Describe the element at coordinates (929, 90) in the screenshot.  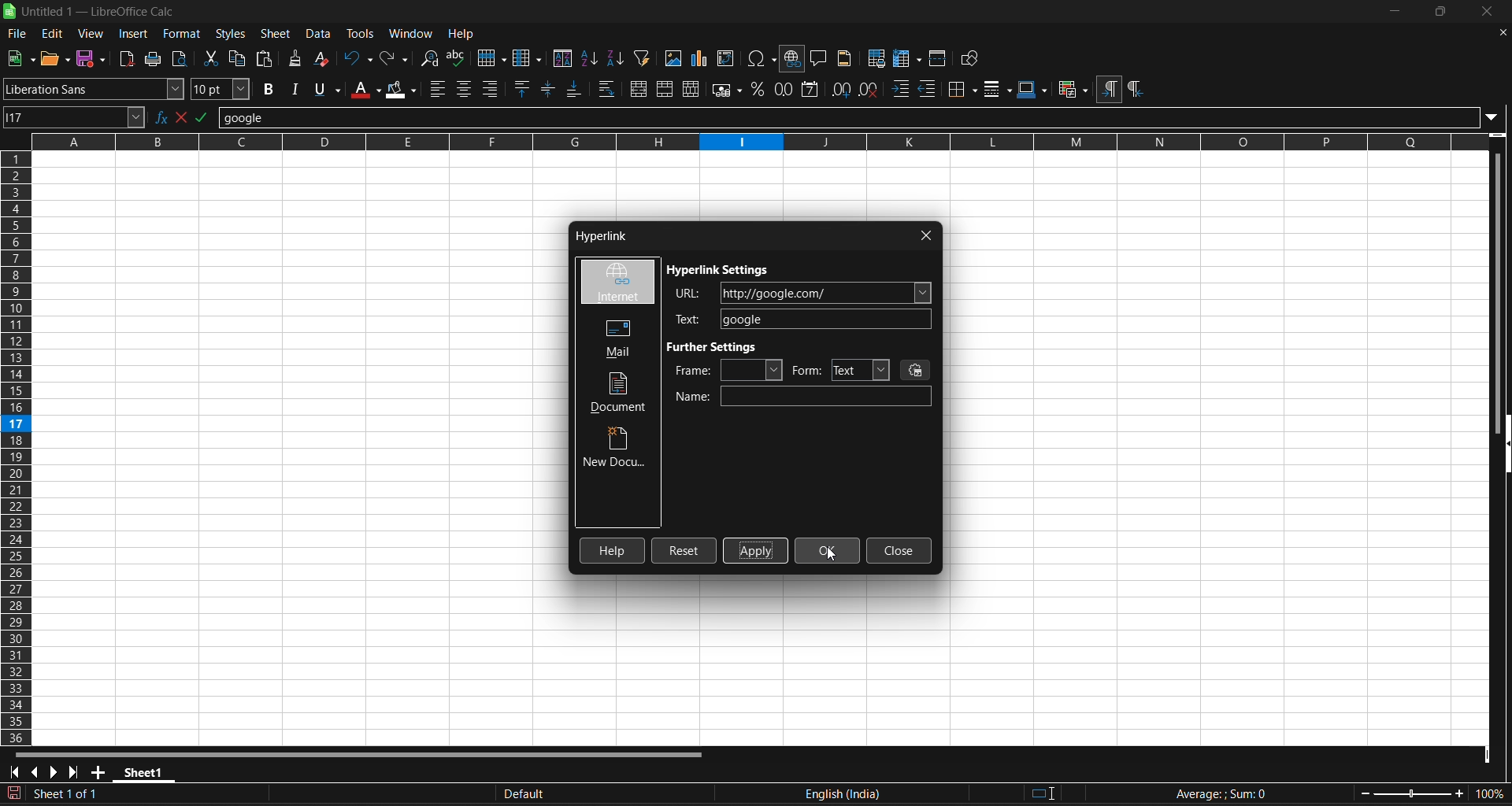
I see `decrease indent` at that location.